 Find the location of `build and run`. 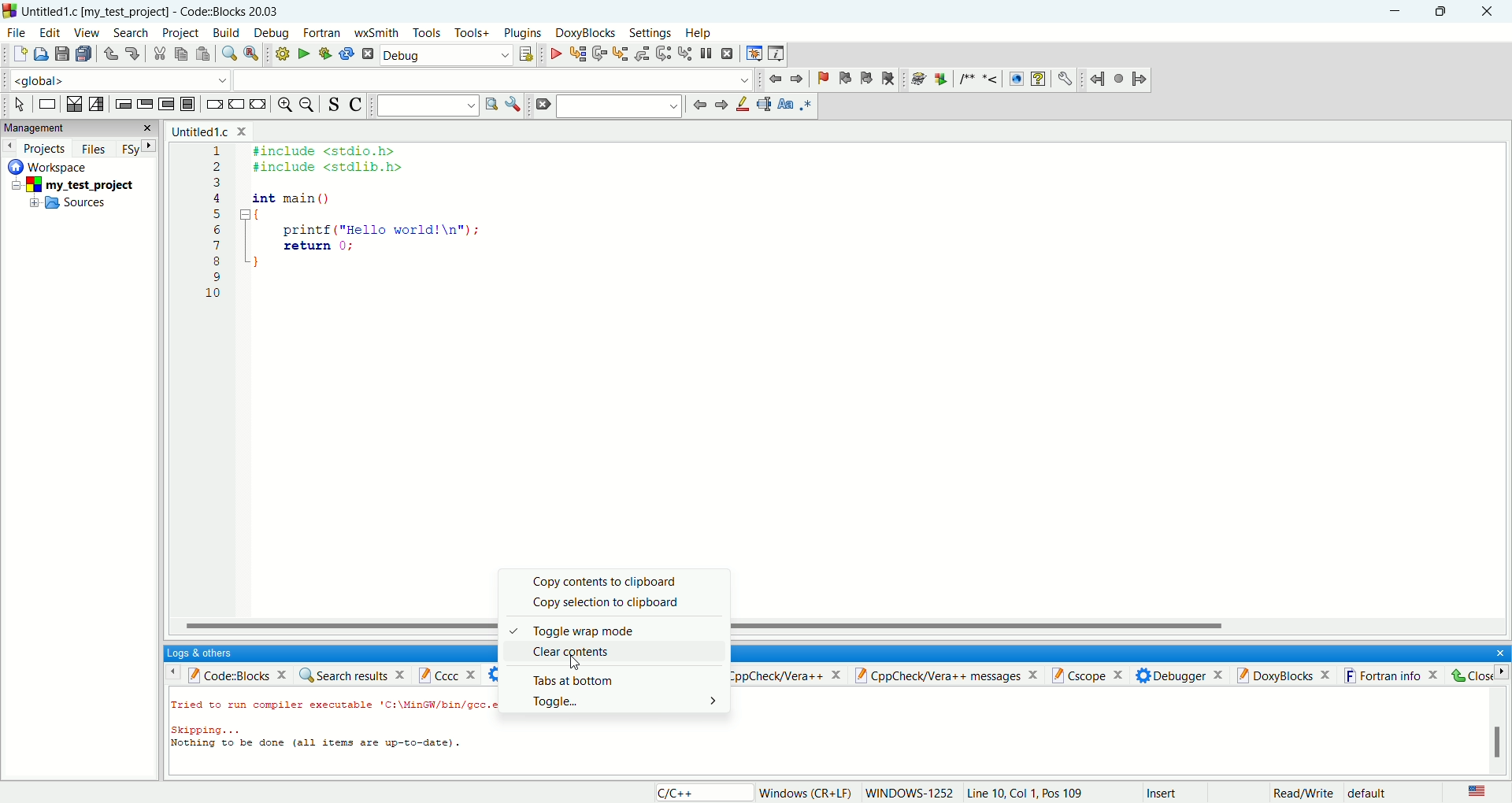

build and run is located at coordinates (321, 54).